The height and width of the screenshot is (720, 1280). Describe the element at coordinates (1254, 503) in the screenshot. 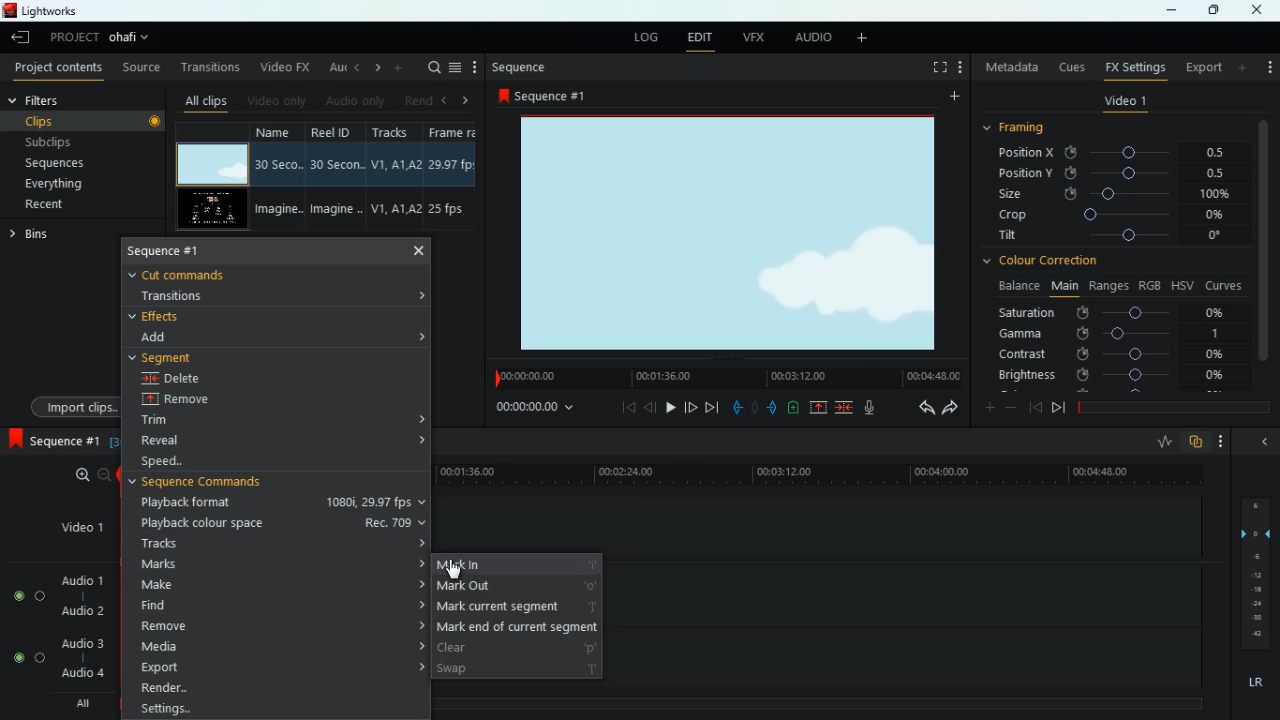

I see `6 (layer)` at that location.